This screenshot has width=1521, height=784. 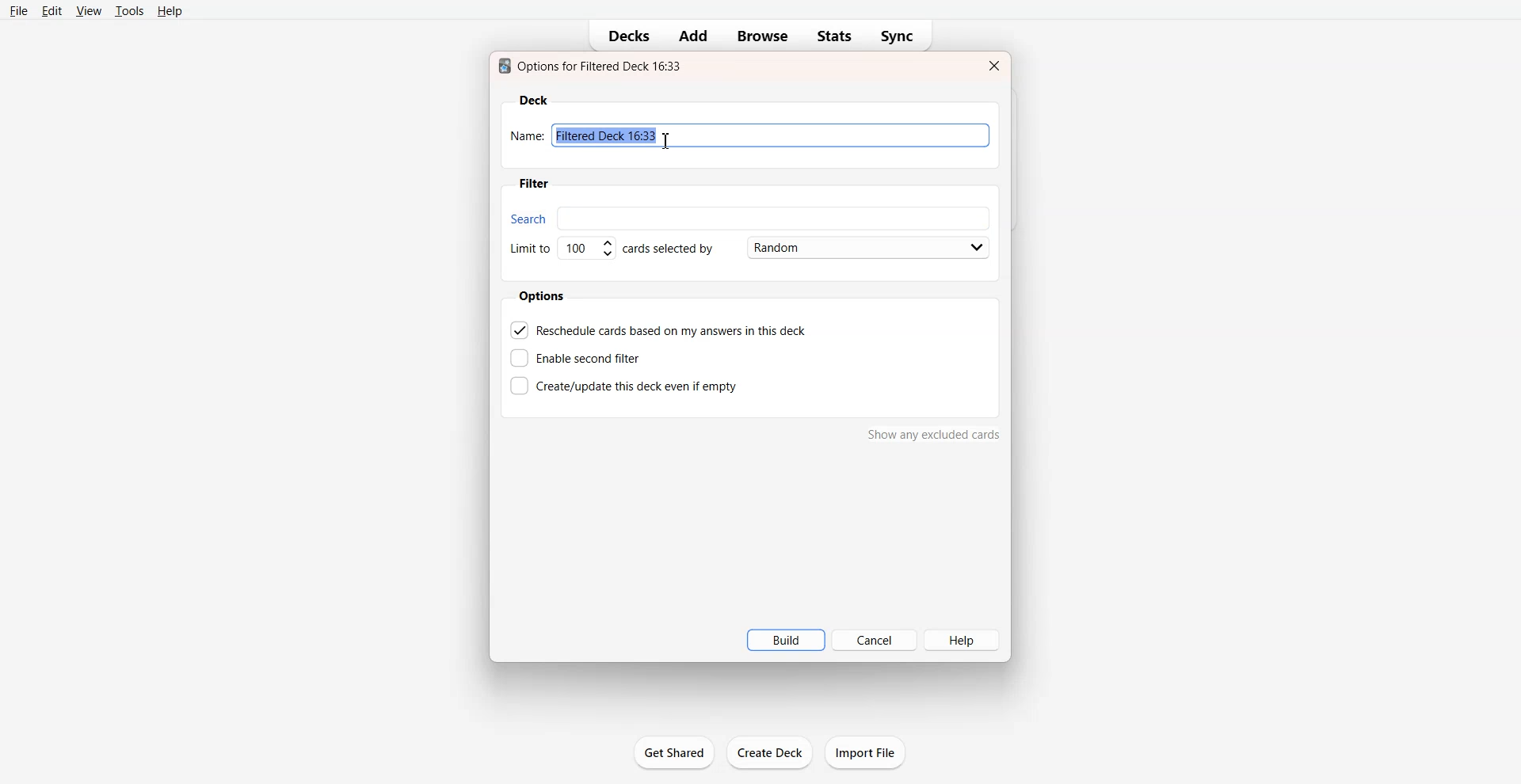 I want to click on create deck, so click(x=774, y=753).